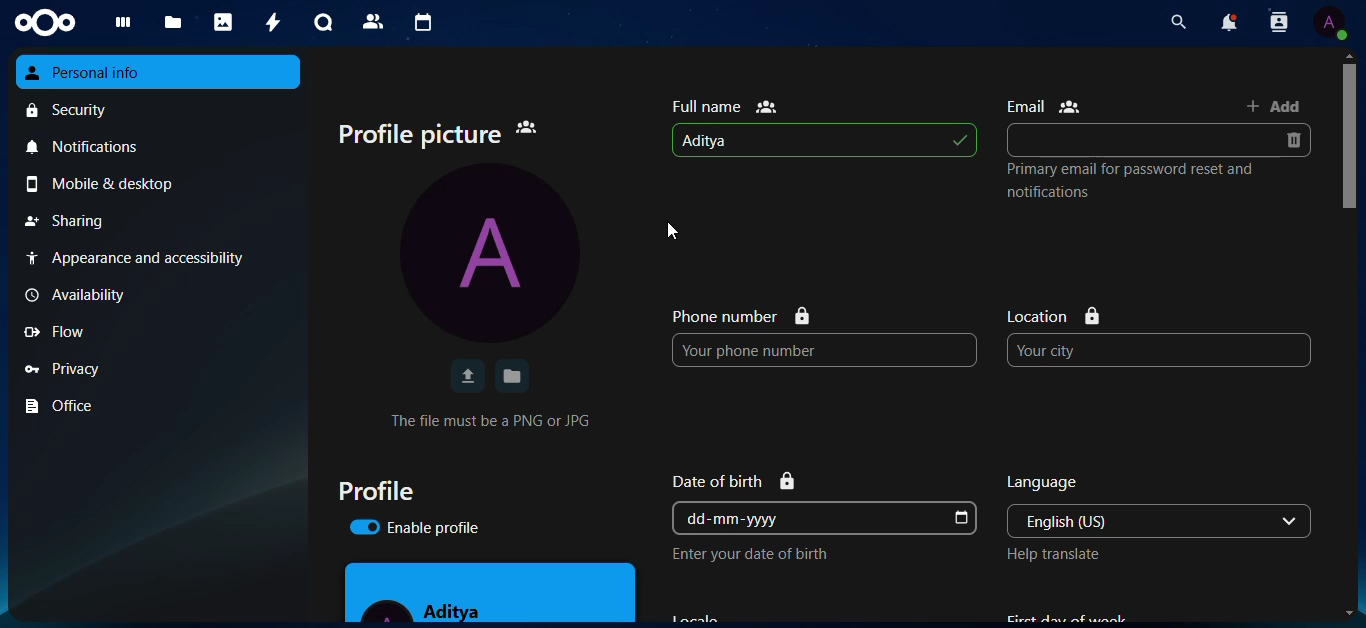  Describe the element at coordinates (269, 21) in the screenshot. I see `activity` at that location.